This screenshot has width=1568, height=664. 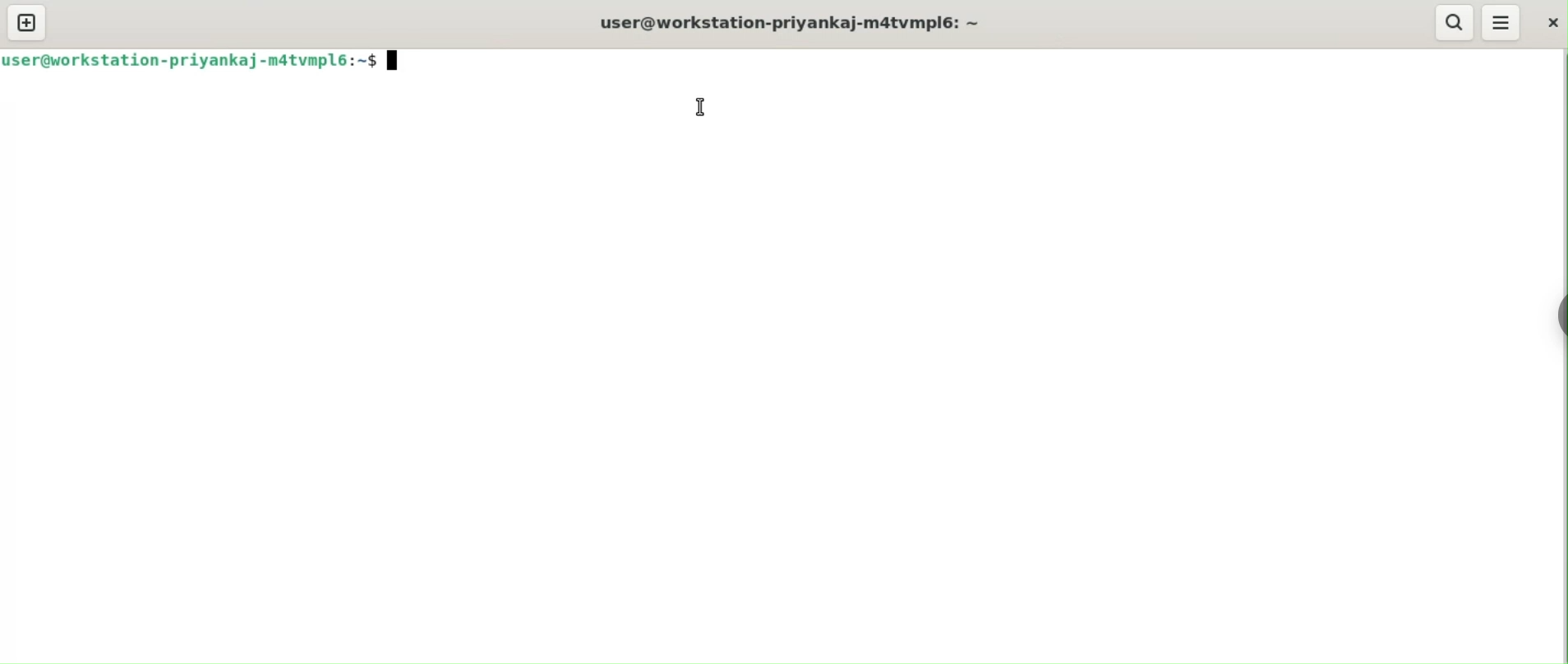 I want to click on chrome option, so click(x=1558, y=312).